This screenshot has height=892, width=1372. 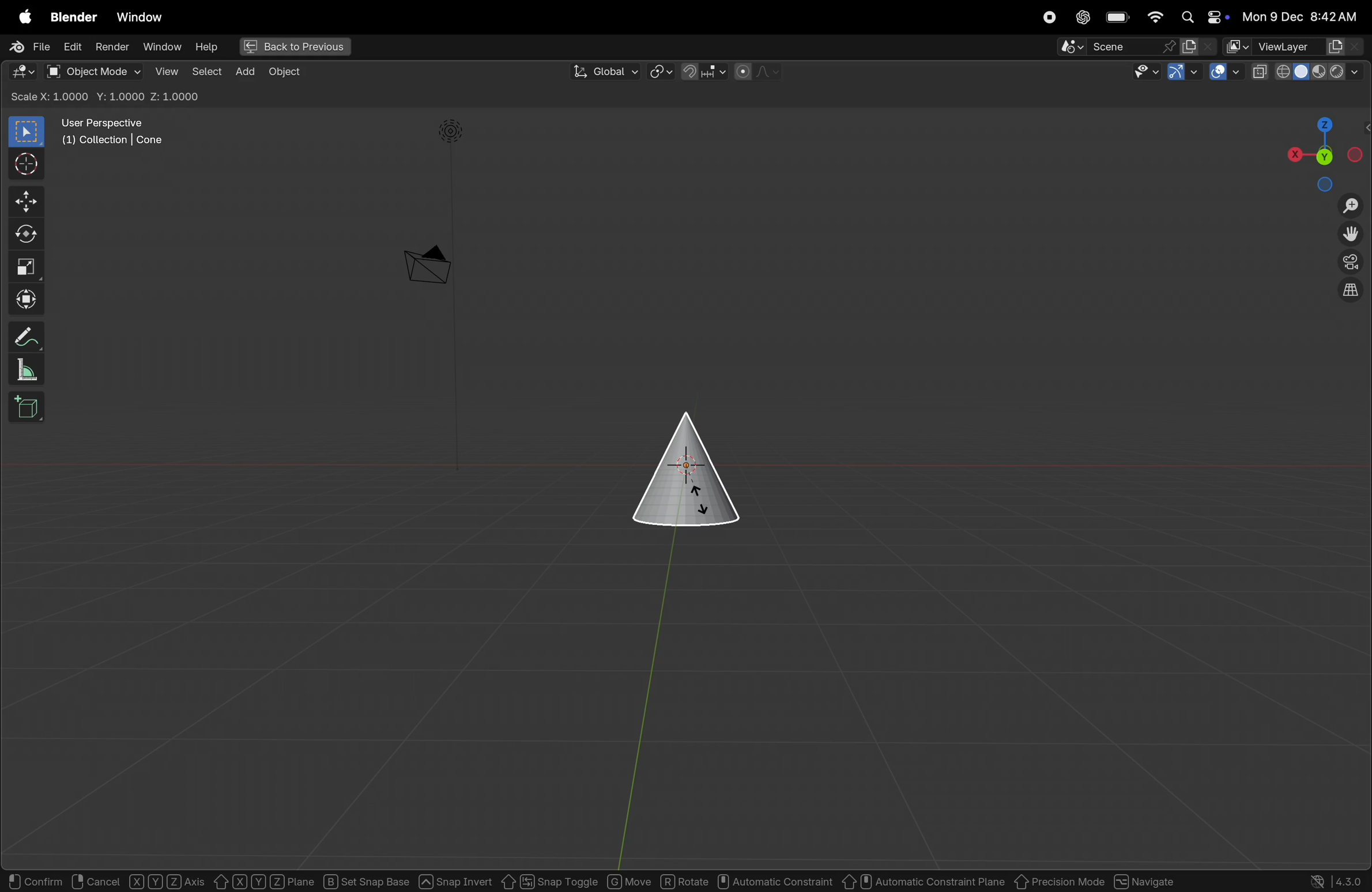 I want to click on chatgpt, so click(x=1083, y=17).